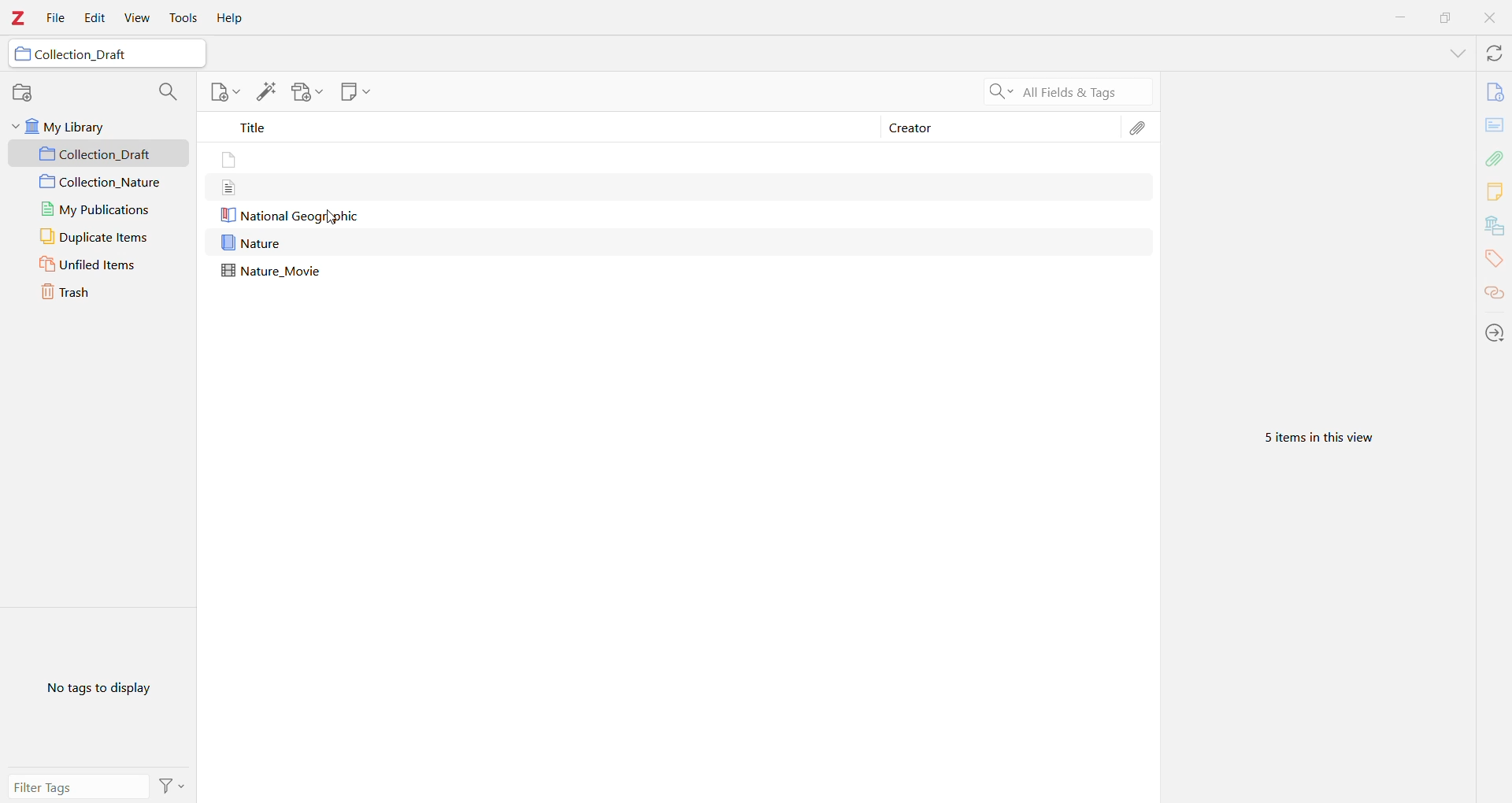  Describe the element at coordinates (1065, 91) in the screenshot. I see `All fields and tags` at that location.